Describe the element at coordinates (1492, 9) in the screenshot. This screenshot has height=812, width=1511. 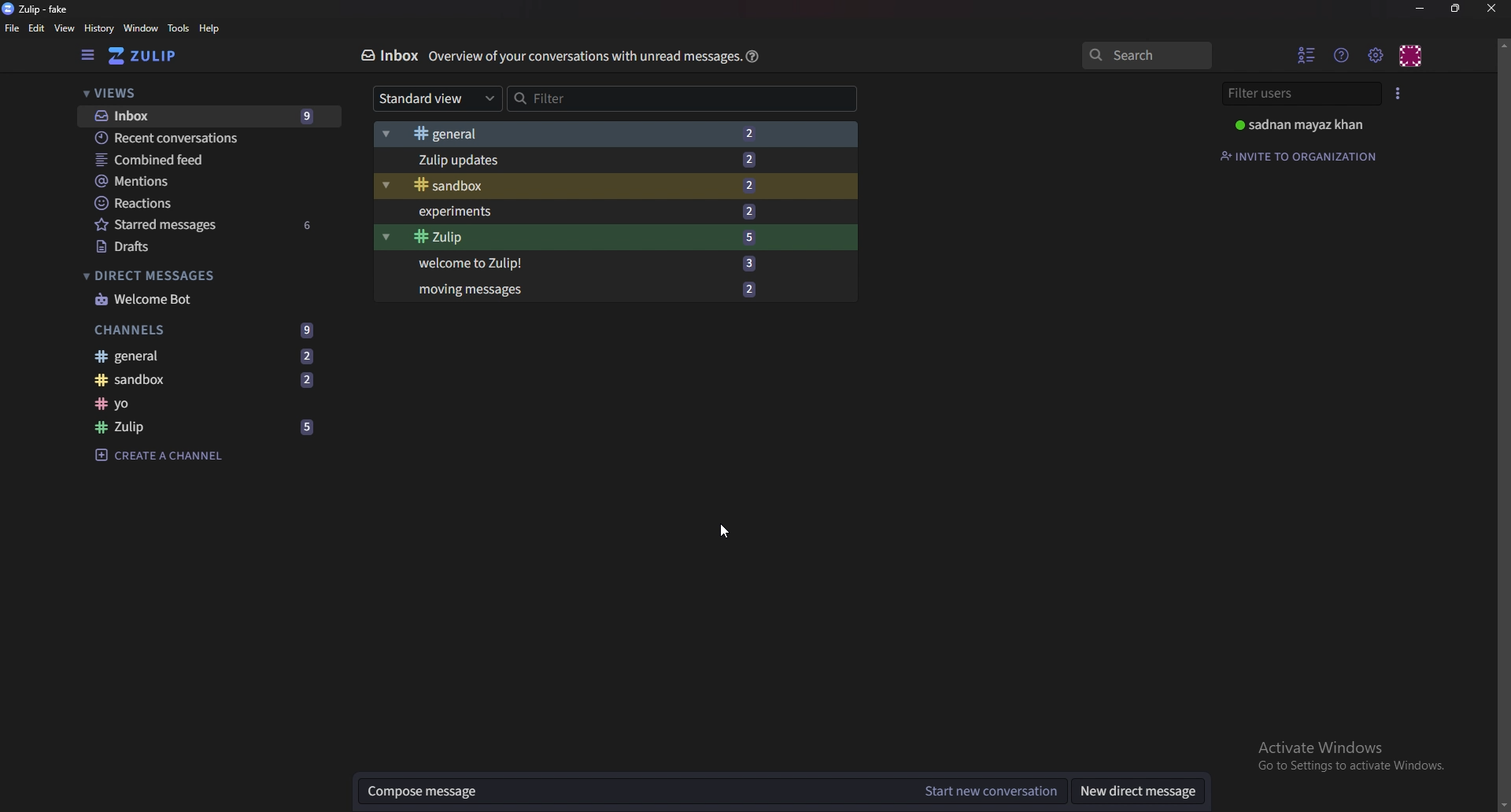
I see `Close` at that location.